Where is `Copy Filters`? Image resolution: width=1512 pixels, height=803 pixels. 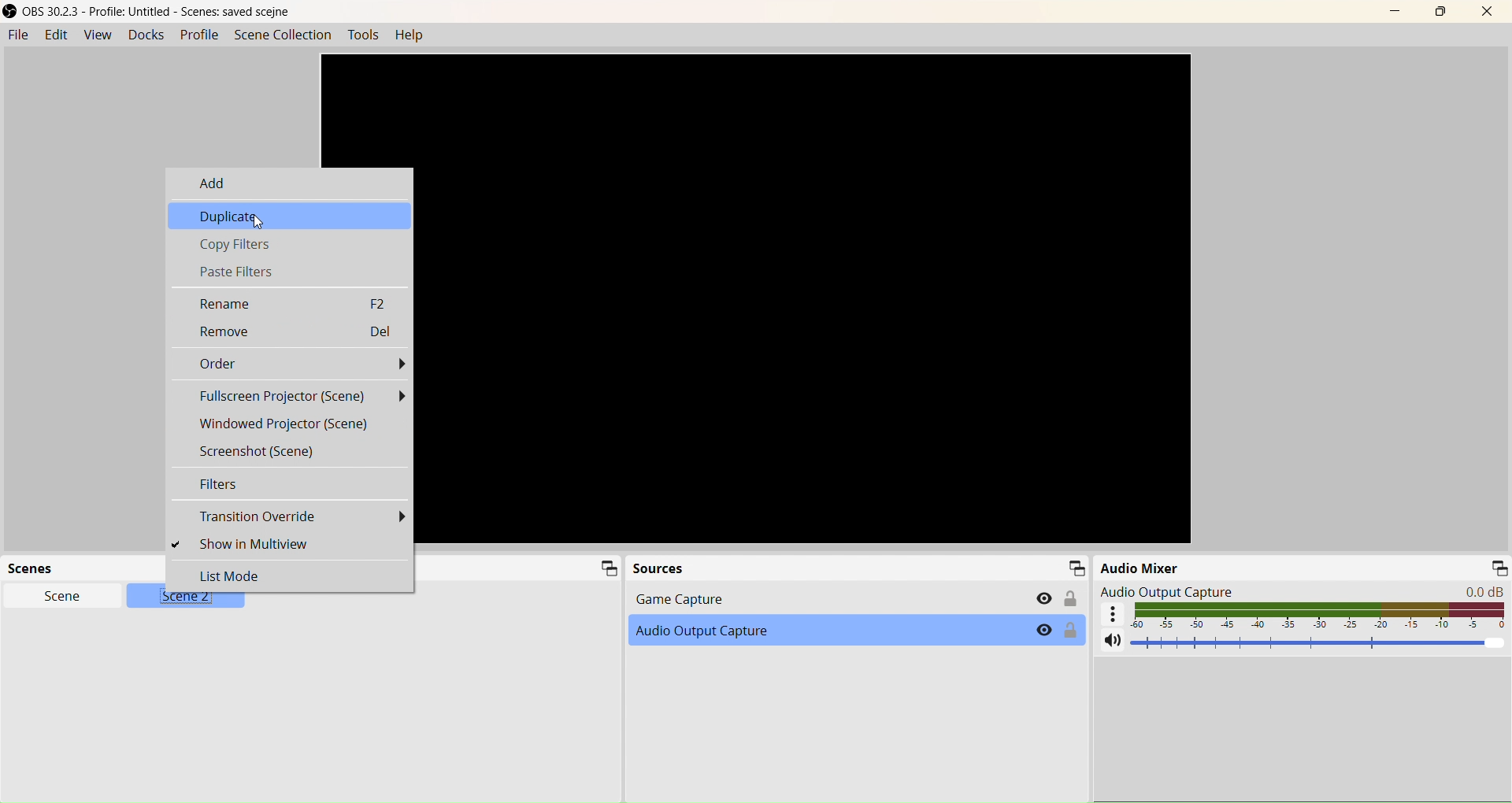
Copy Filters is located at coordinates (287, 243).